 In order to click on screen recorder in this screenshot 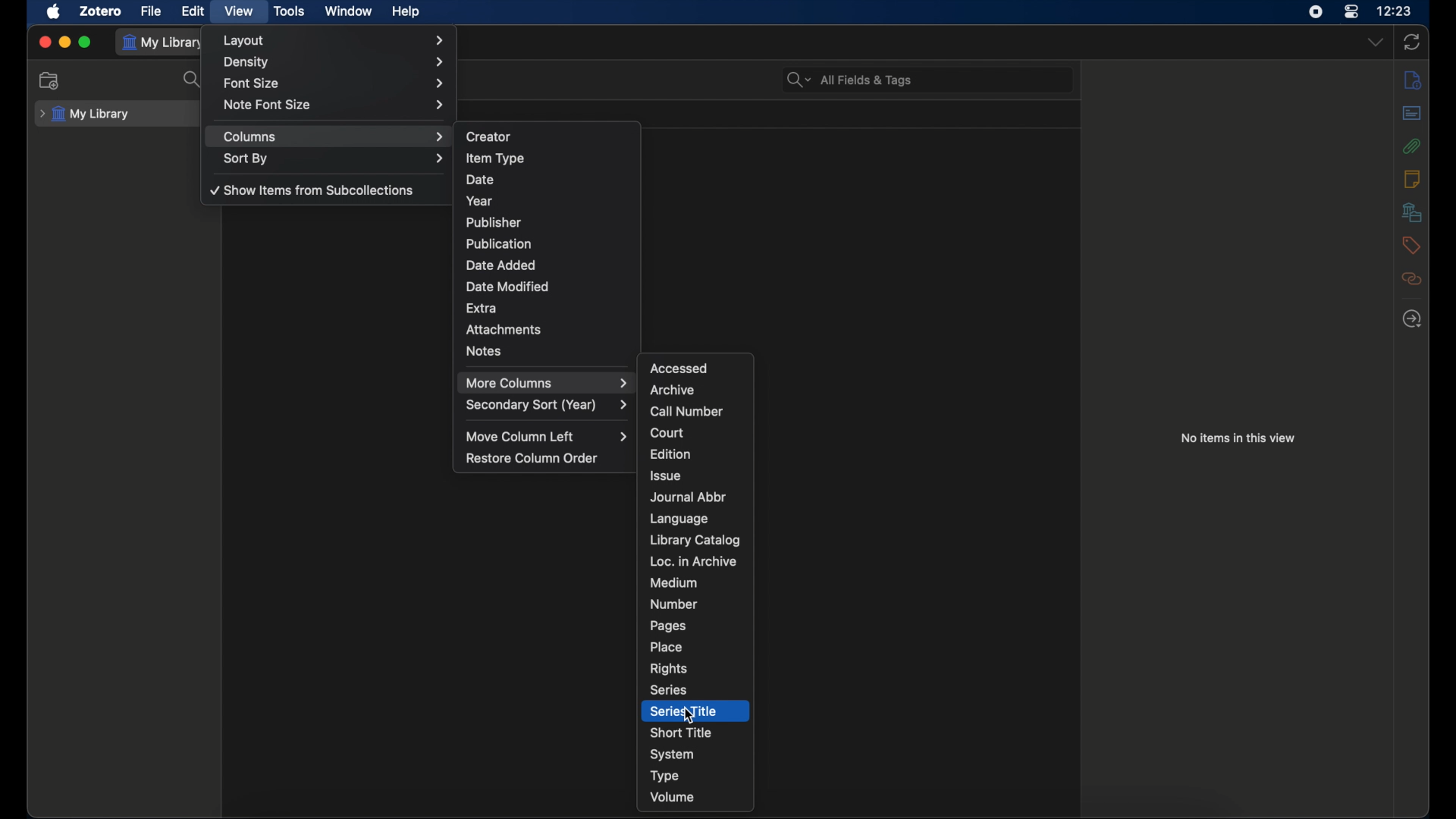, I will do `click(1316, 12)`.